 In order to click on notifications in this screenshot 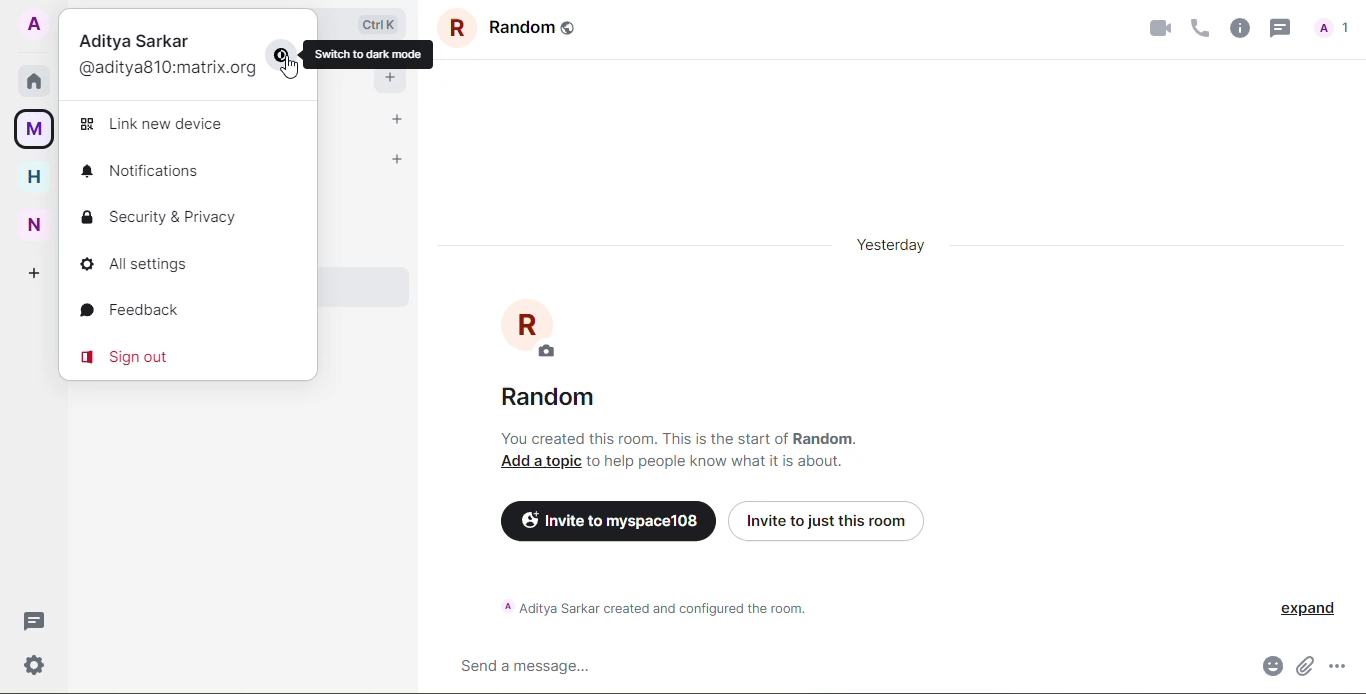, I will do `click(156, 170)`.